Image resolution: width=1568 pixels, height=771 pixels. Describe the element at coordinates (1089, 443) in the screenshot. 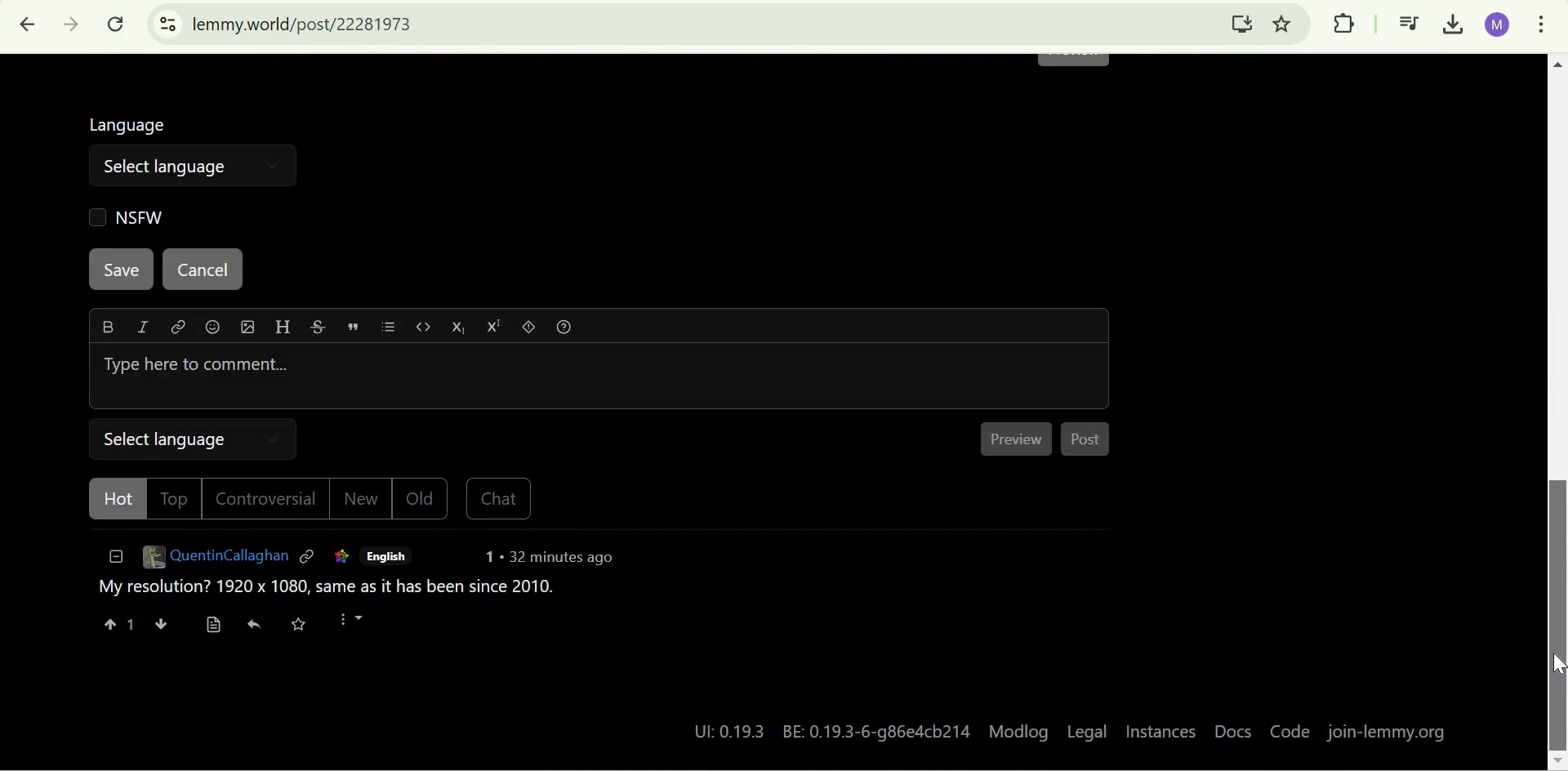

I see `Post` at that location.